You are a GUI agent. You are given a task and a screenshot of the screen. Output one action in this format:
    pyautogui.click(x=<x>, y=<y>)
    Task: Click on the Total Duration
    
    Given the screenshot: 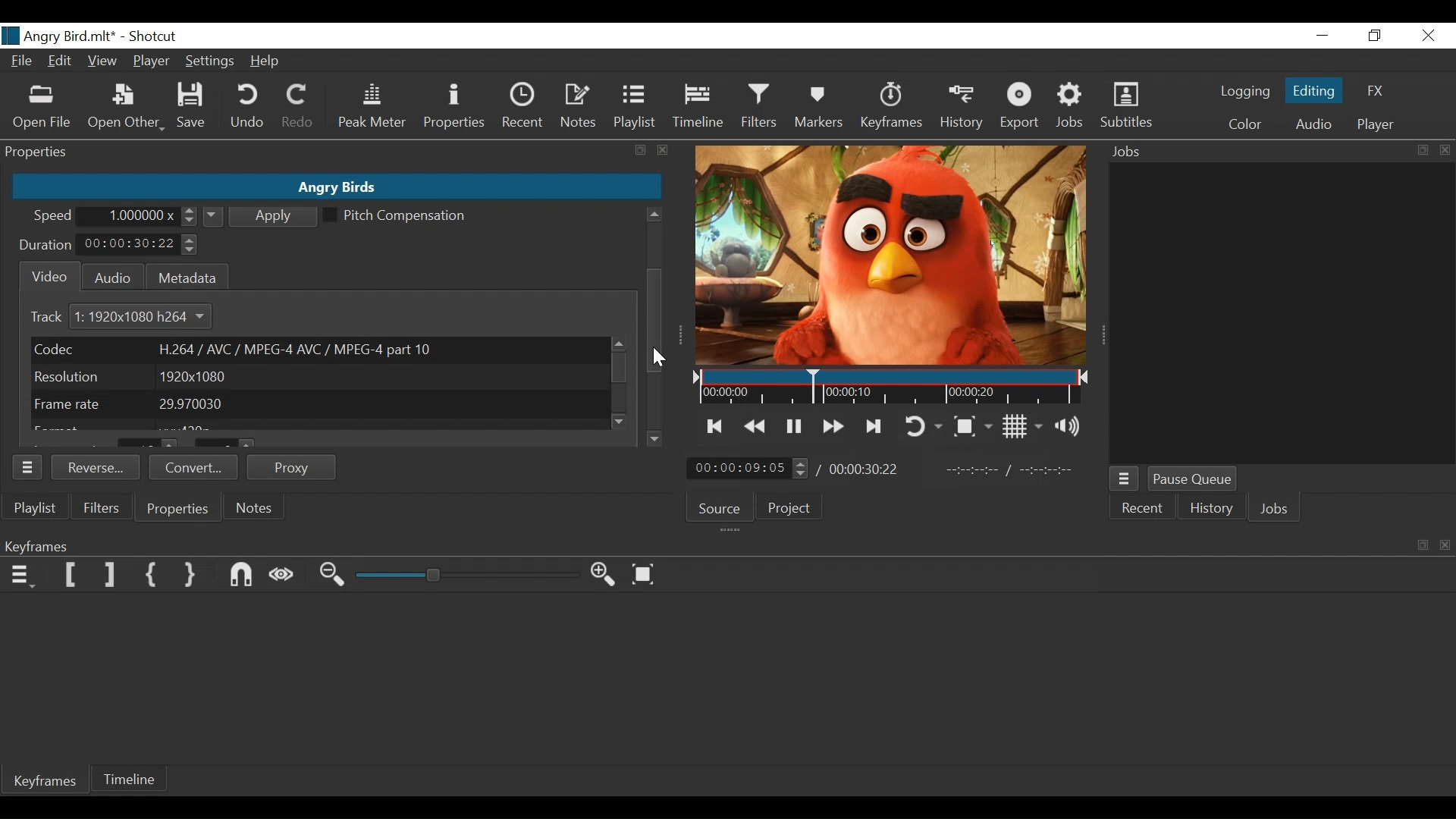 What is the action you would take?
    pyautogui.click(x=866, y=469)
    